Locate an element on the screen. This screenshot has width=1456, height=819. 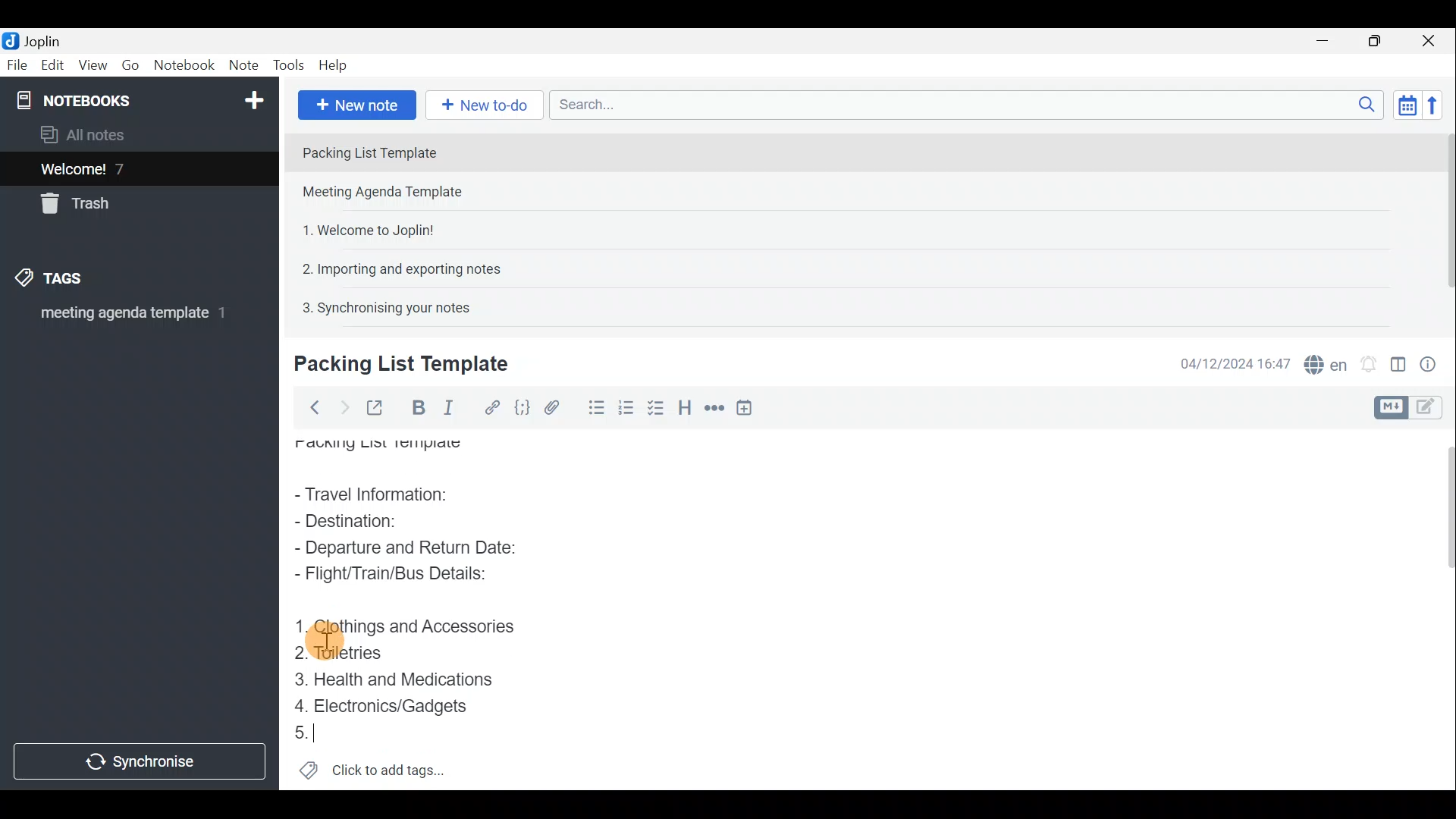
Close is located at coordinates (1433, 40).